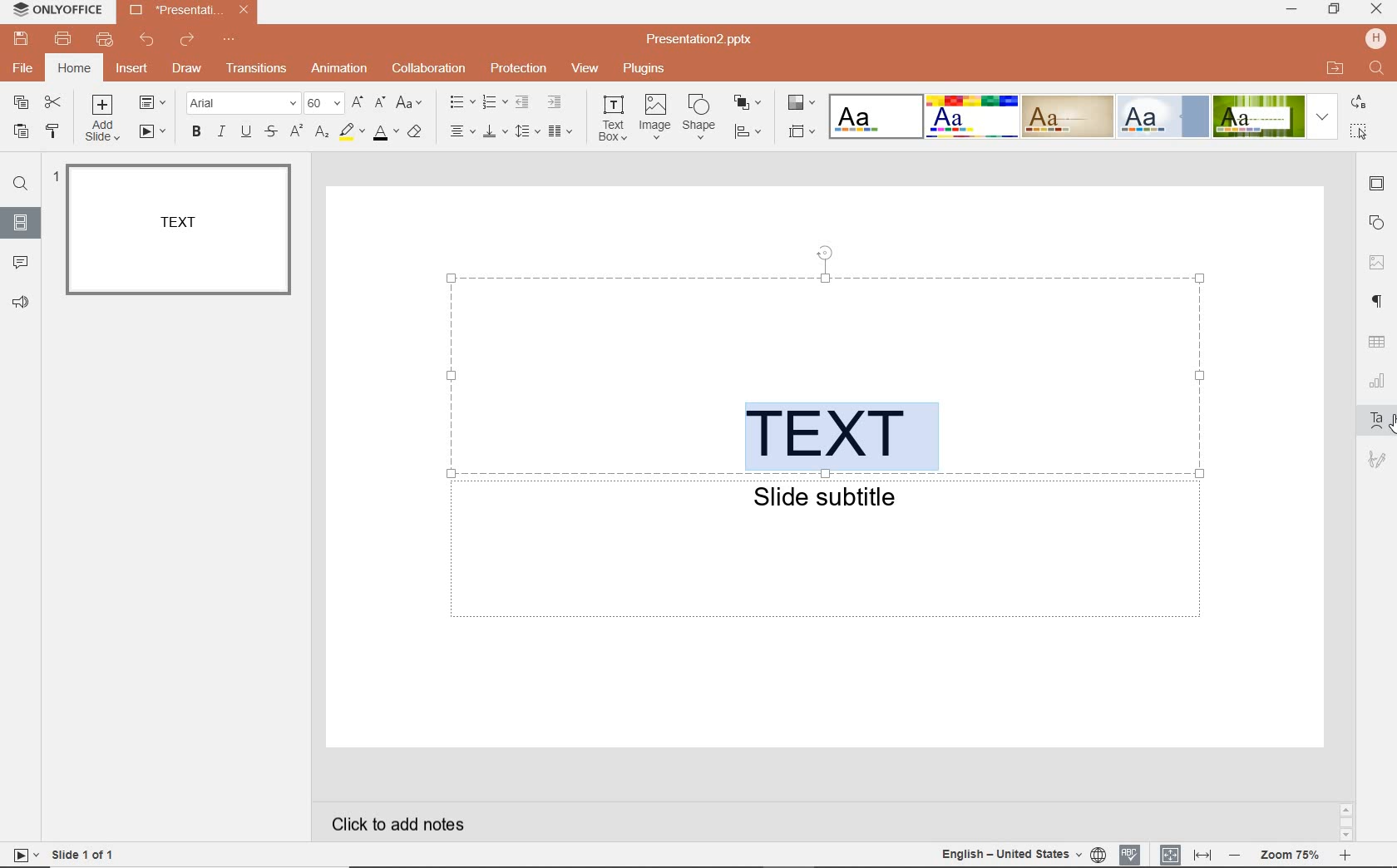  Describe the element at coordinates (1291, 10) in the screenshot. I see `minimize` at that location.